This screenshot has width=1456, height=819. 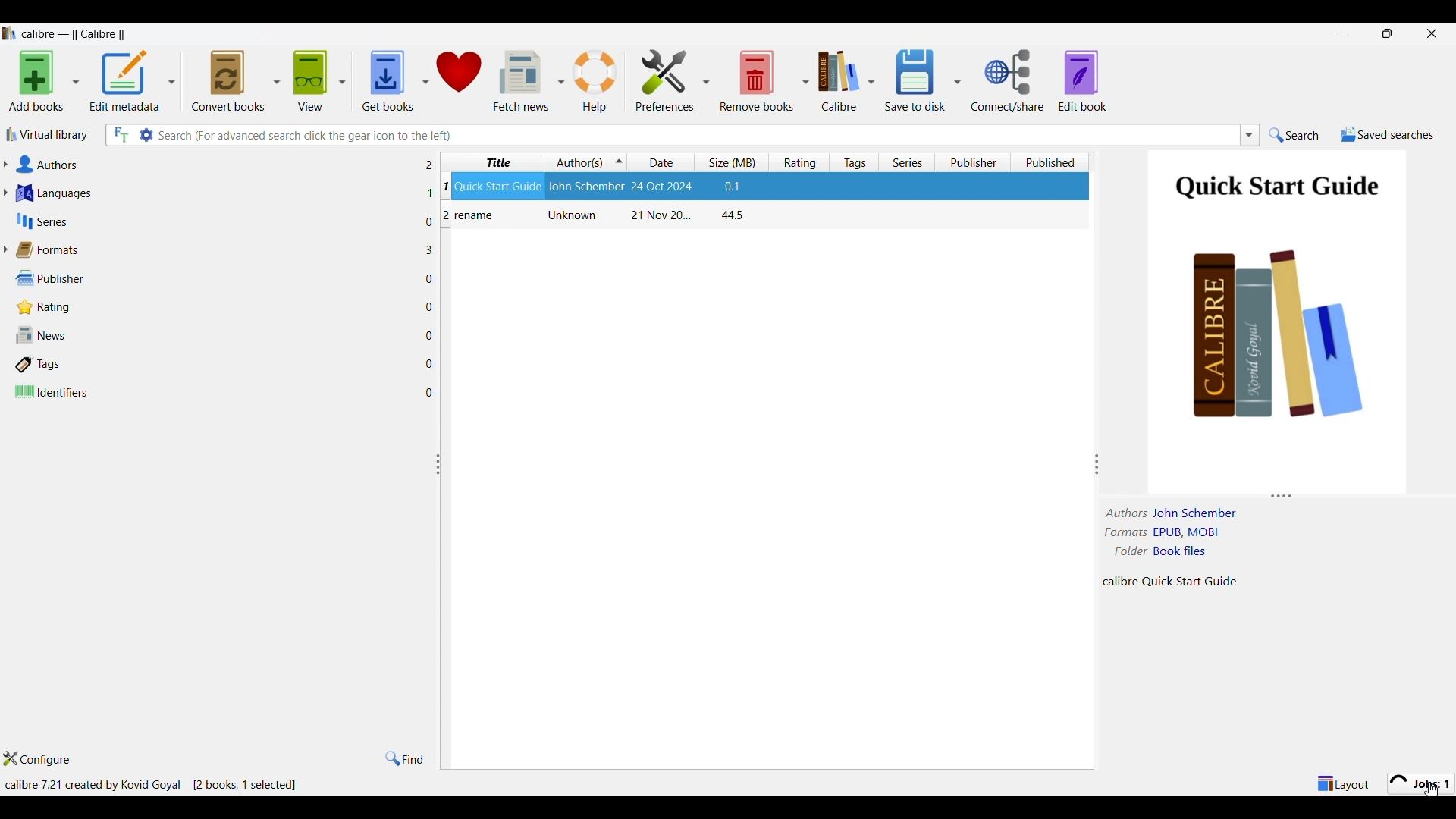 What do you see at coordinates (310, 81) in the screenshot?
I see `View` at bounding box center [310, 81].